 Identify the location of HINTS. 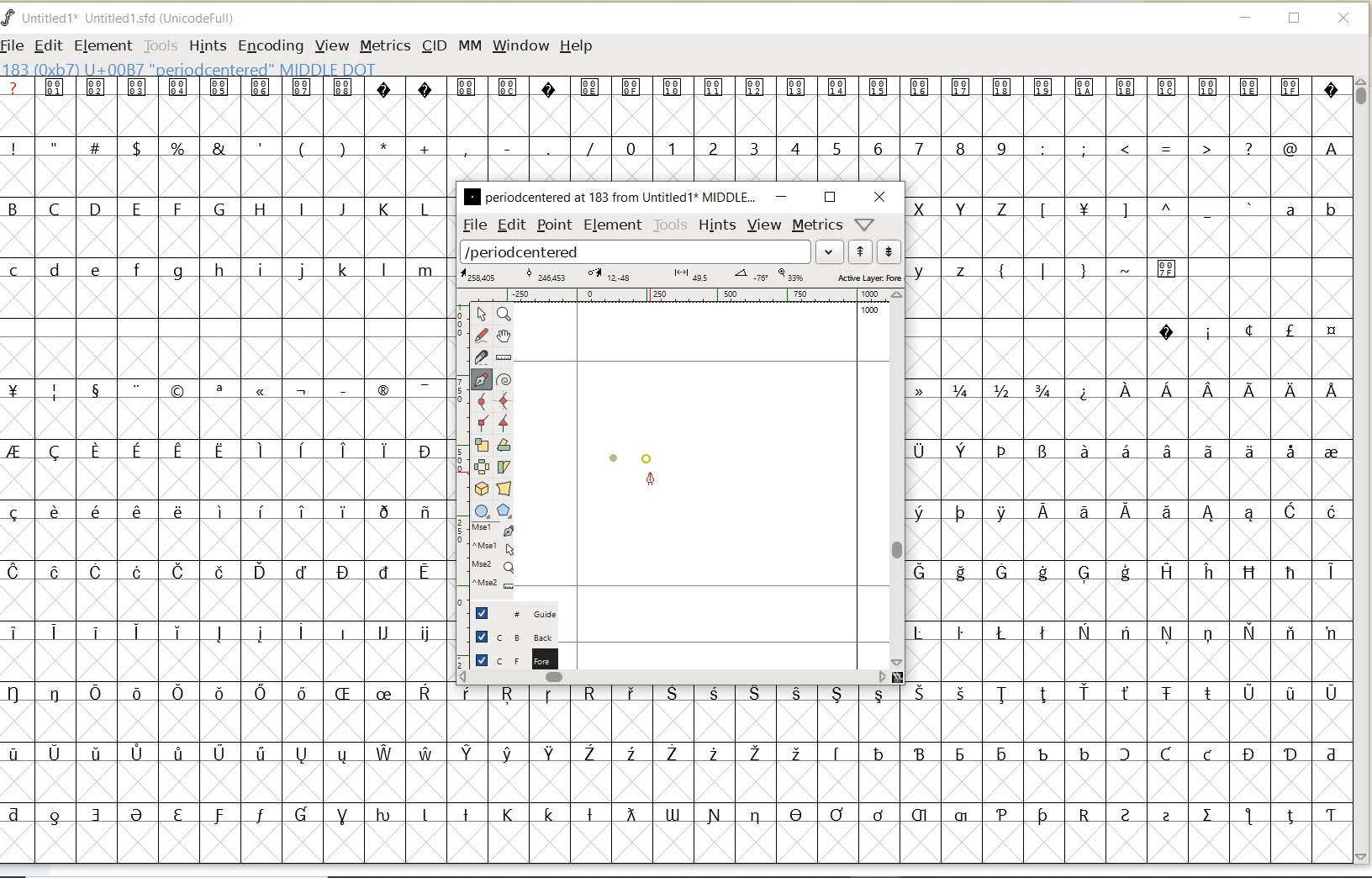
(206, 45).